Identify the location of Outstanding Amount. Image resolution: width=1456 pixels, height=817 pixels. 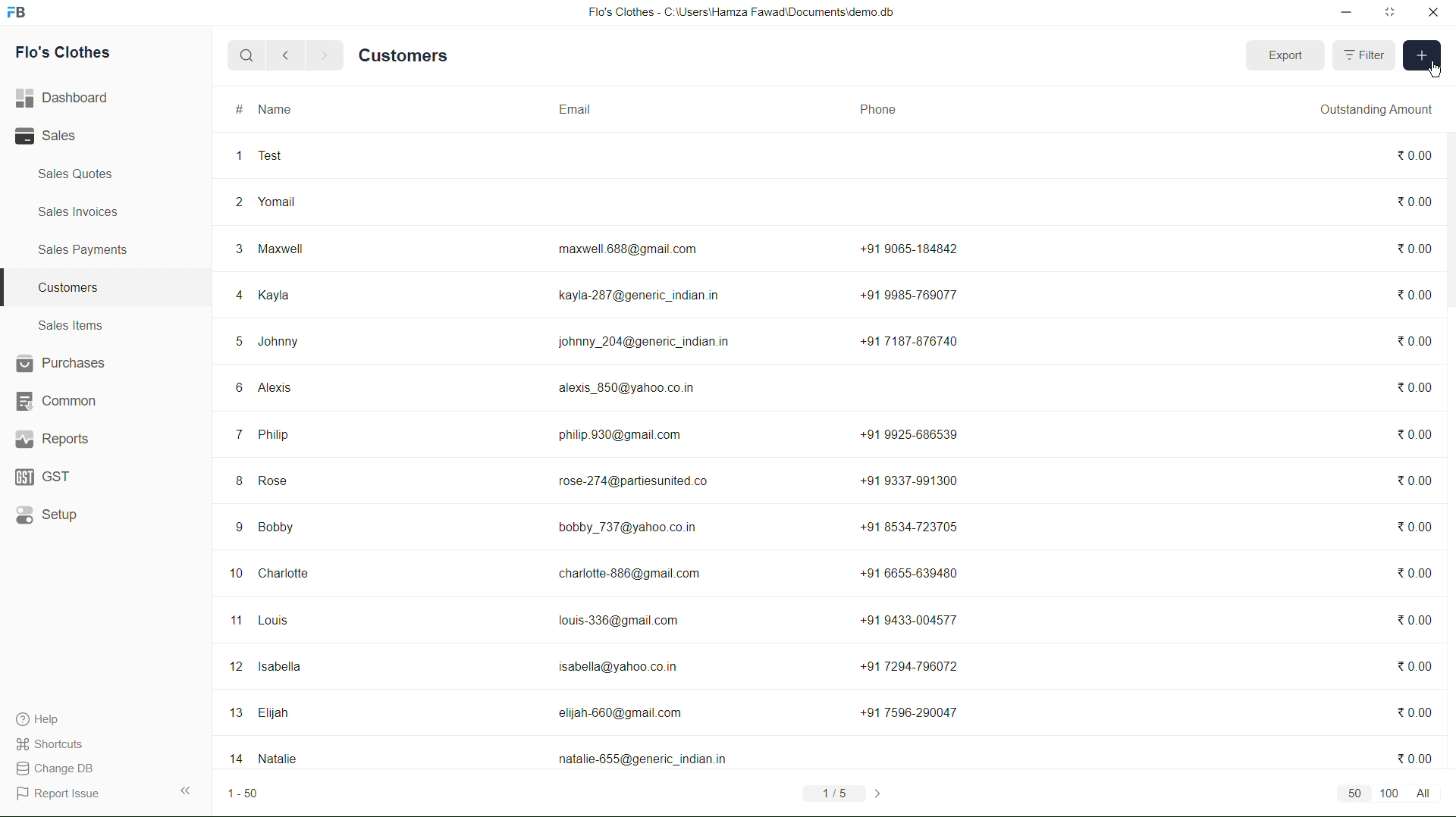
(1375, 109).